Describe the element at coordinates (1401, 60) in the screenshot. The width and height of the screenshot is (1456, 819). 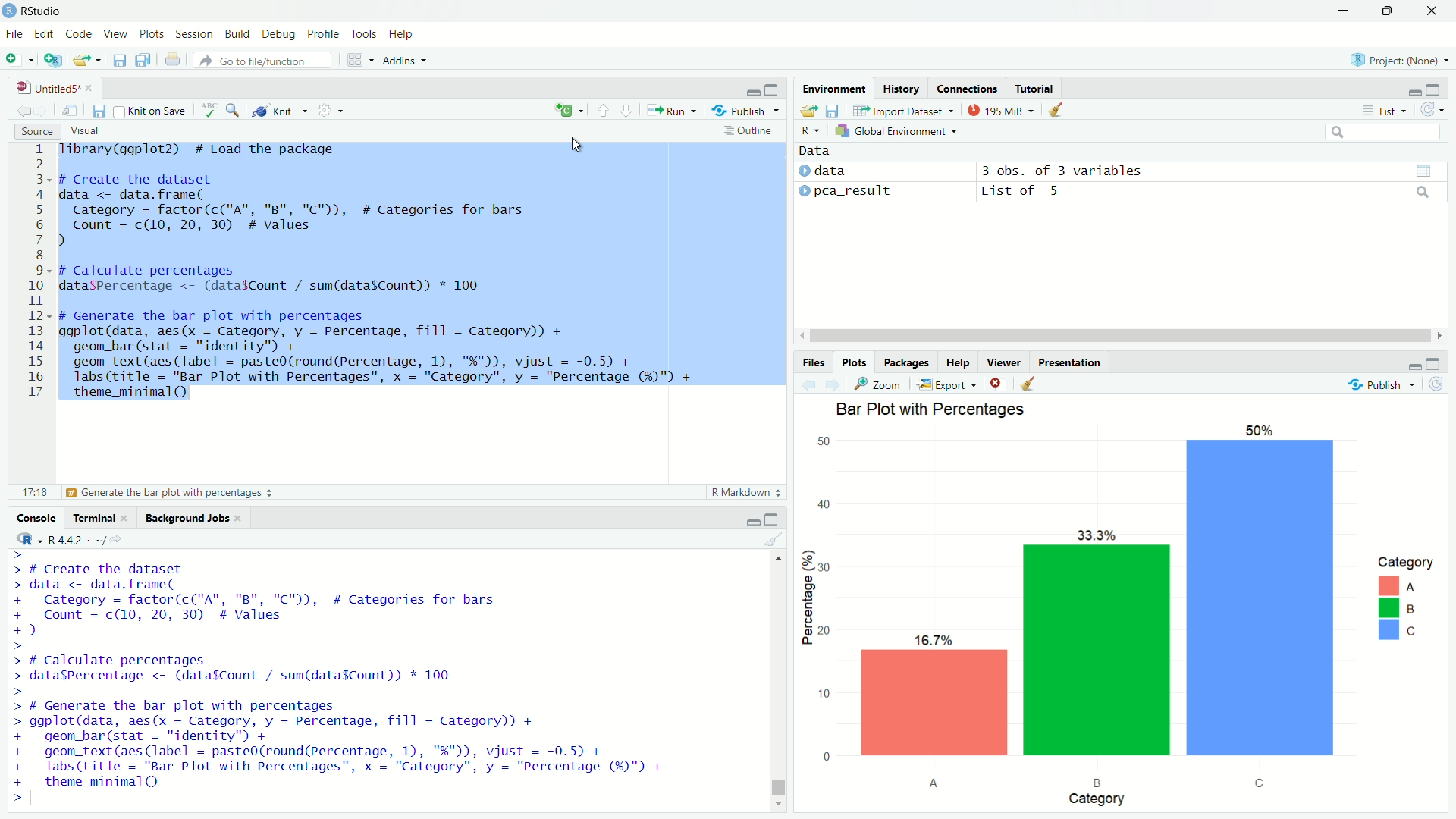
I see `selected project: None` at that location.